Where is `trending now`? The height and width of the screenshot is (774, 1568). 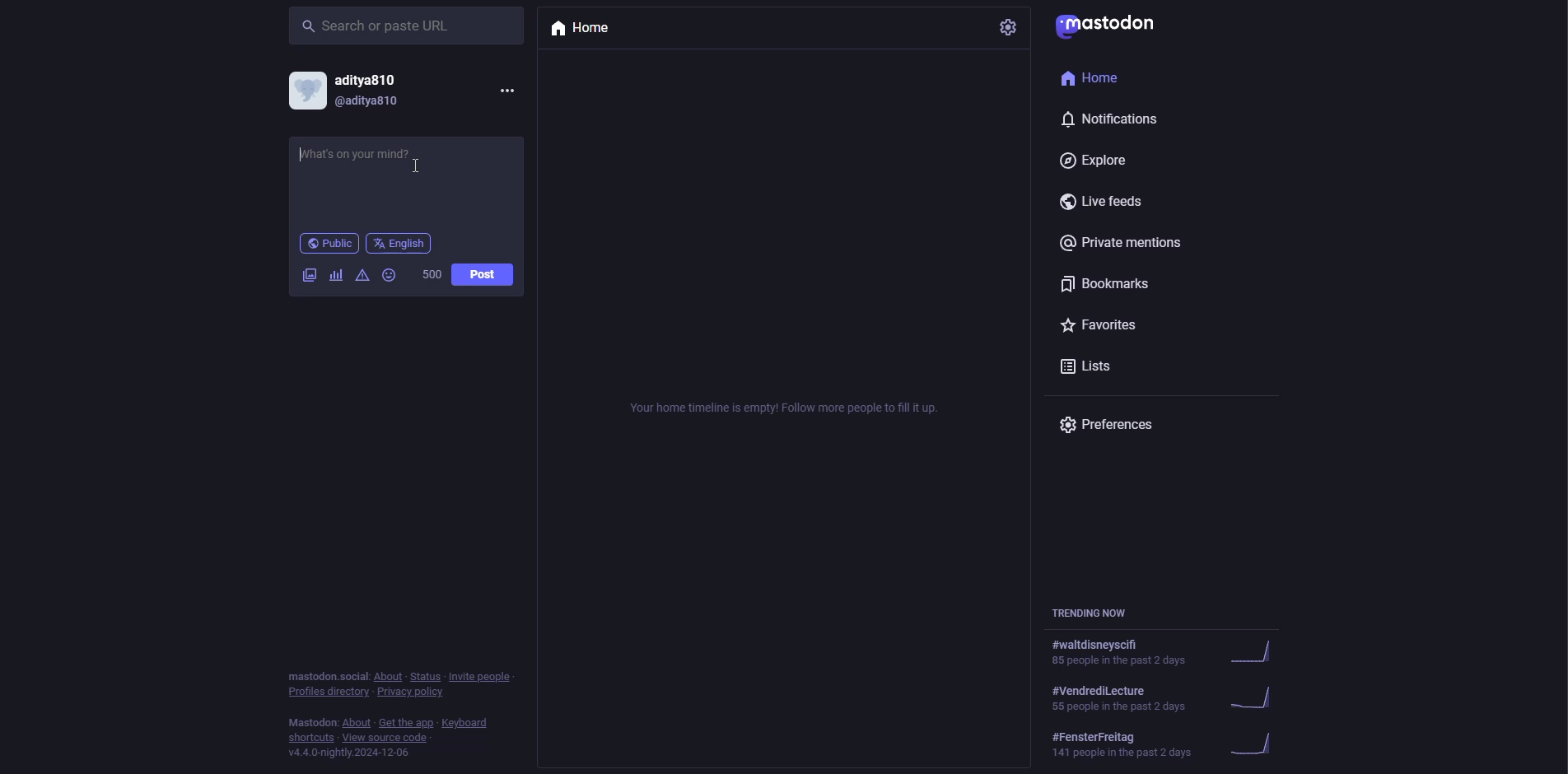
trending now is located at coordinates (1172, 652).